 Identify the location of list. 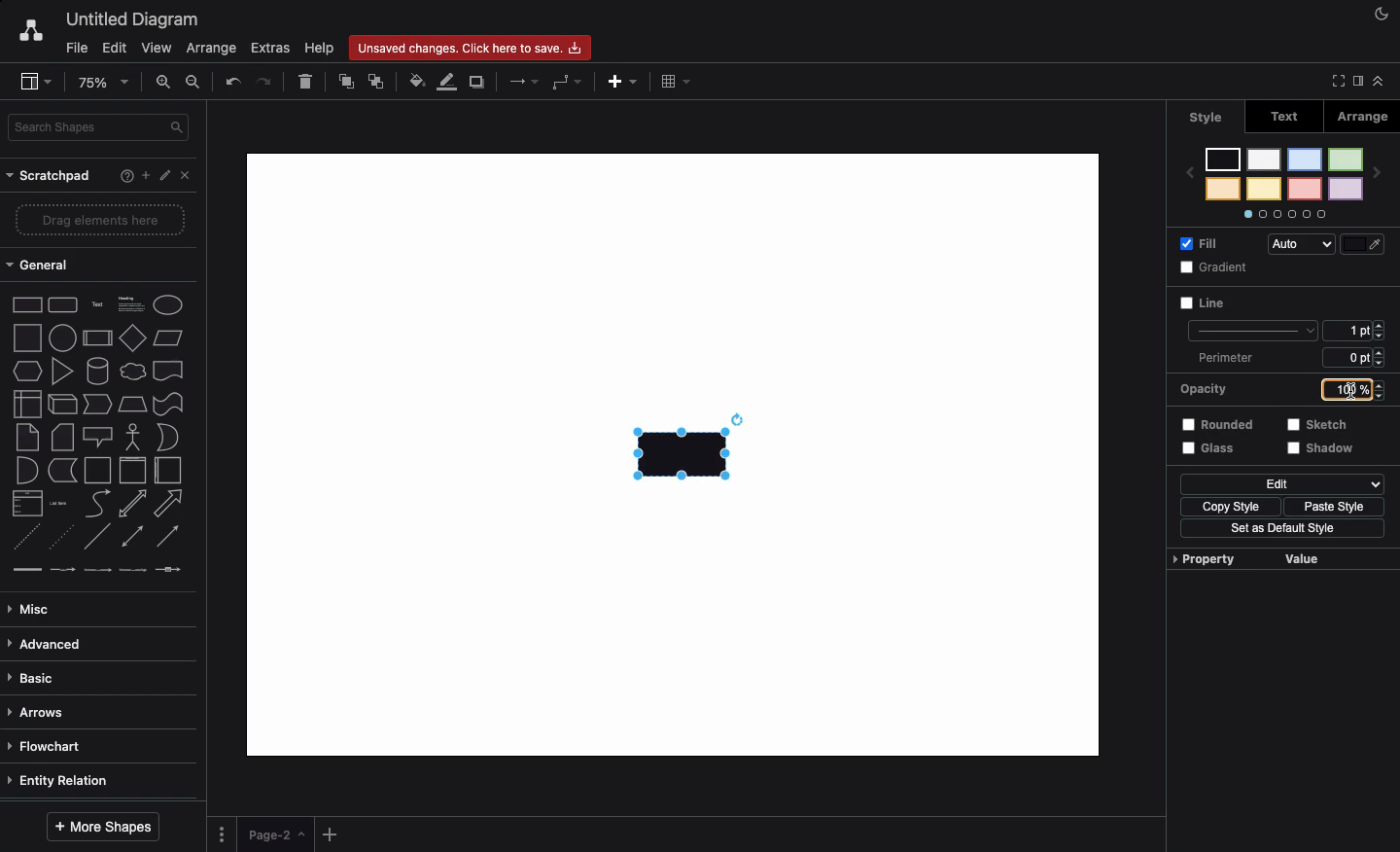
(24, 503).